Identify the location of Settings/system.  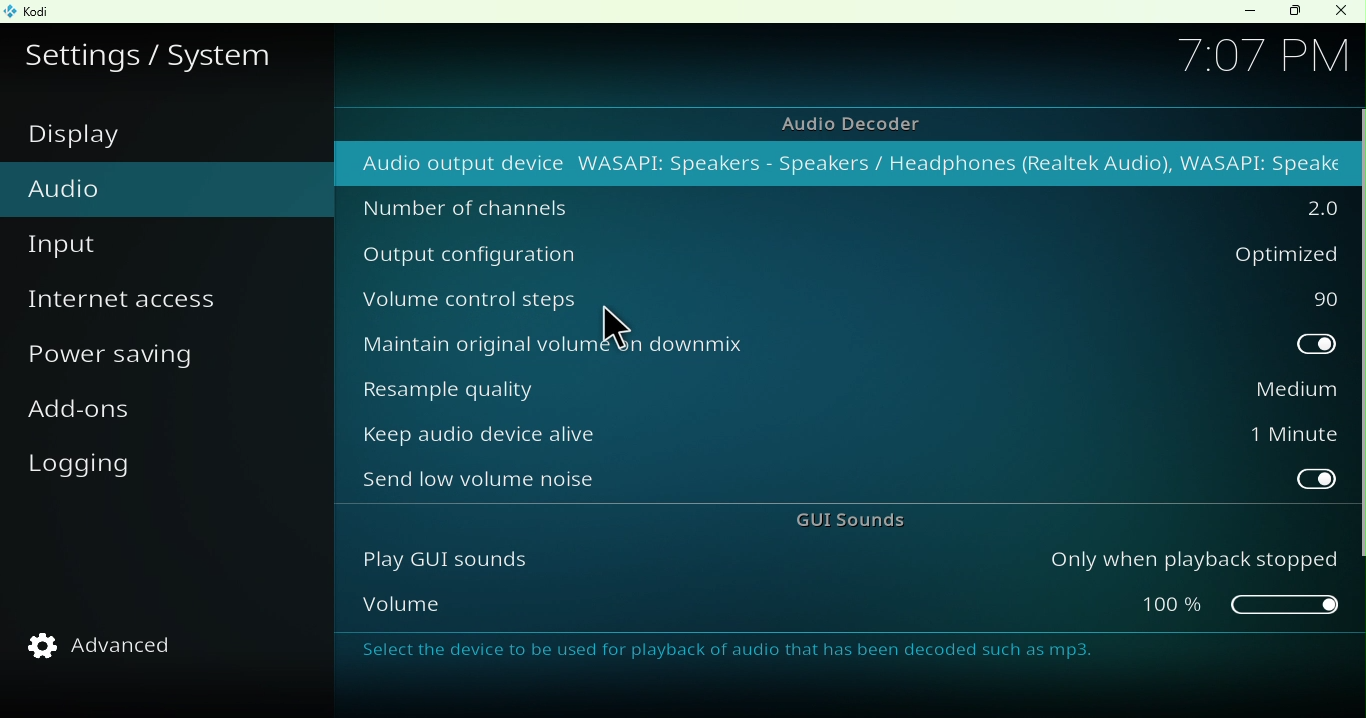
(153, 52).